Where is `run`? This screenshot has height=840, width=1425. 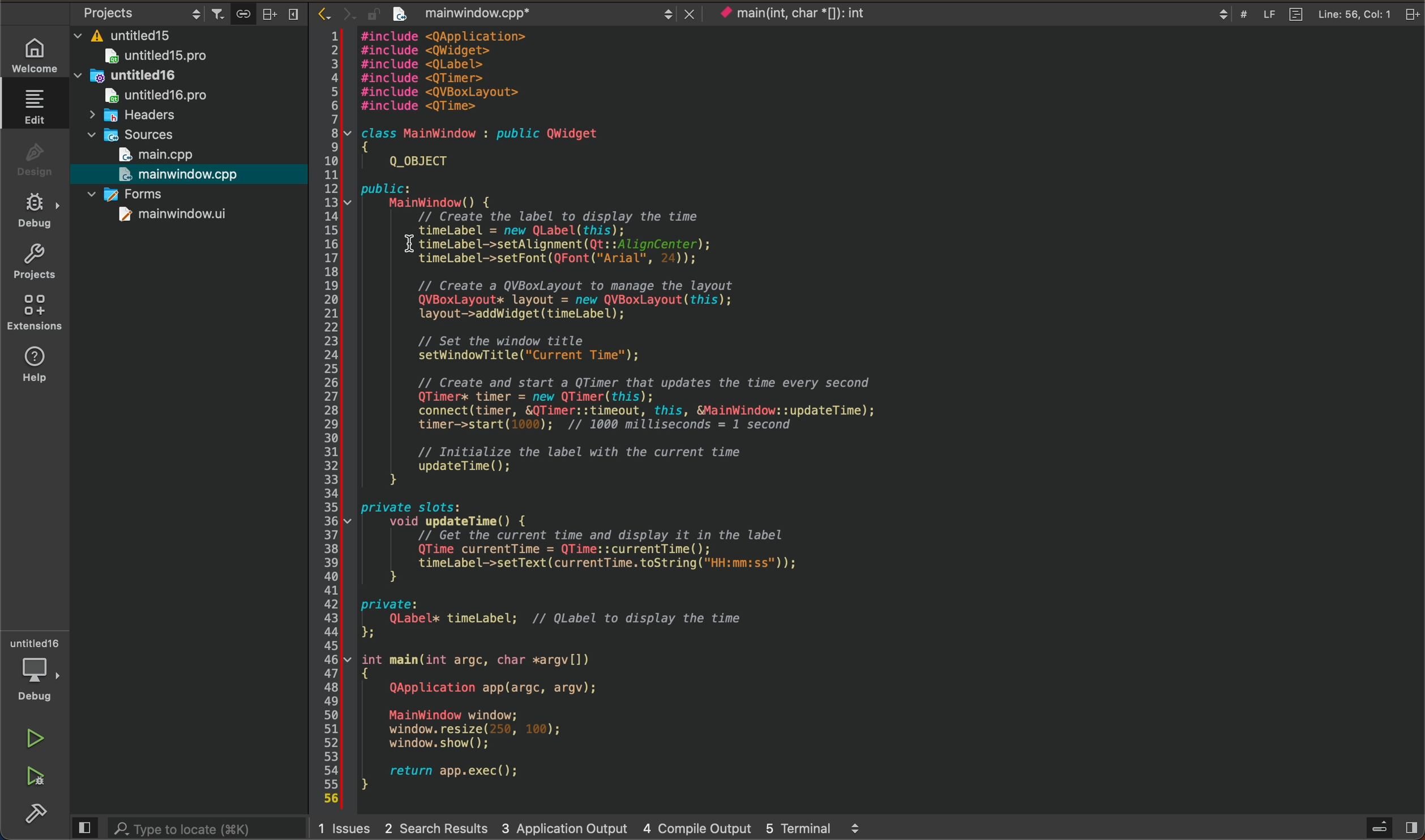
run is located at coordinates (38, 738).